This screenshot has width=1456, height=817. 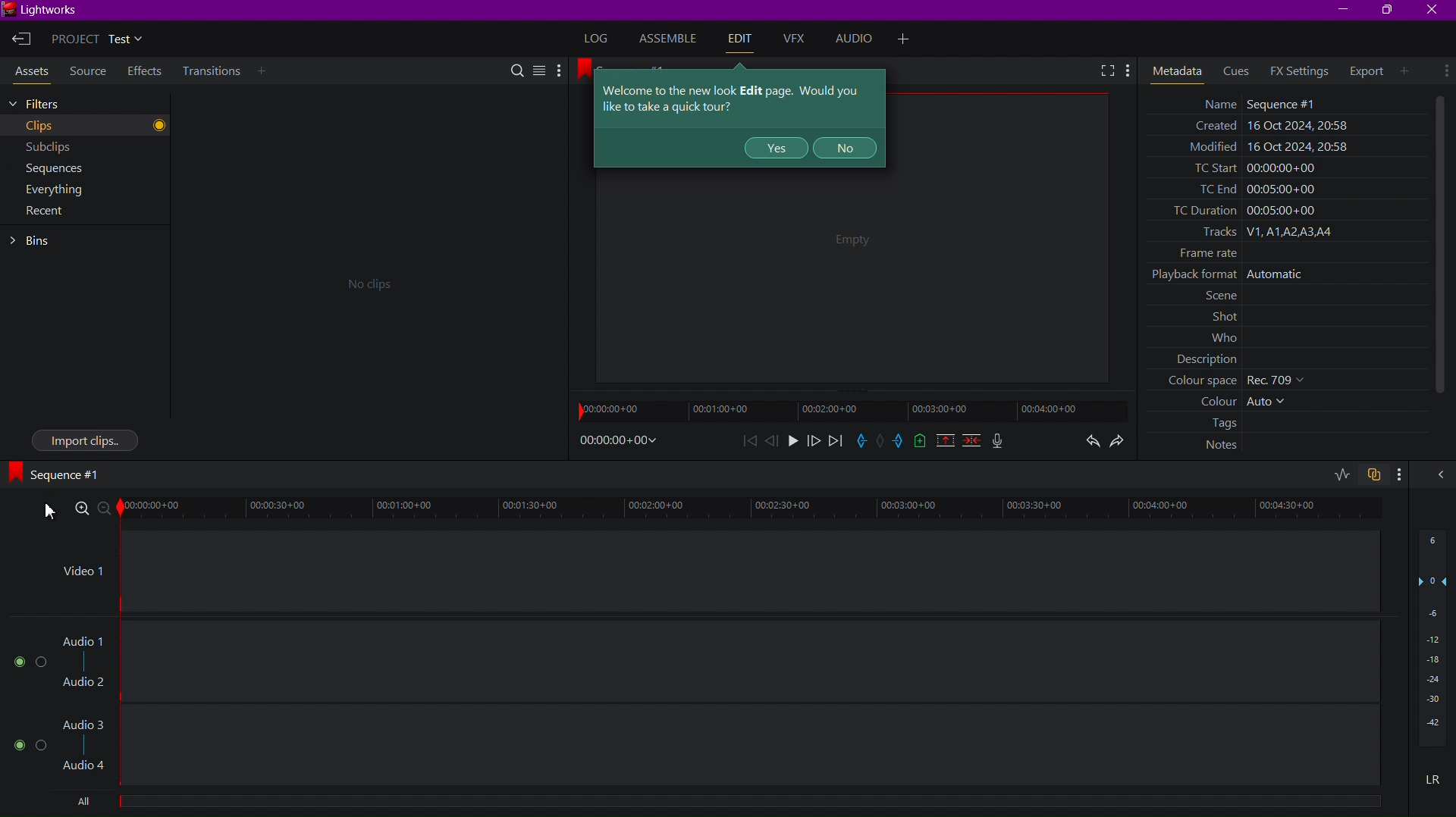 What do you see at coordinates (742, 38) in the screenshot?
I see `Edit` at bounding box center [742, 38].